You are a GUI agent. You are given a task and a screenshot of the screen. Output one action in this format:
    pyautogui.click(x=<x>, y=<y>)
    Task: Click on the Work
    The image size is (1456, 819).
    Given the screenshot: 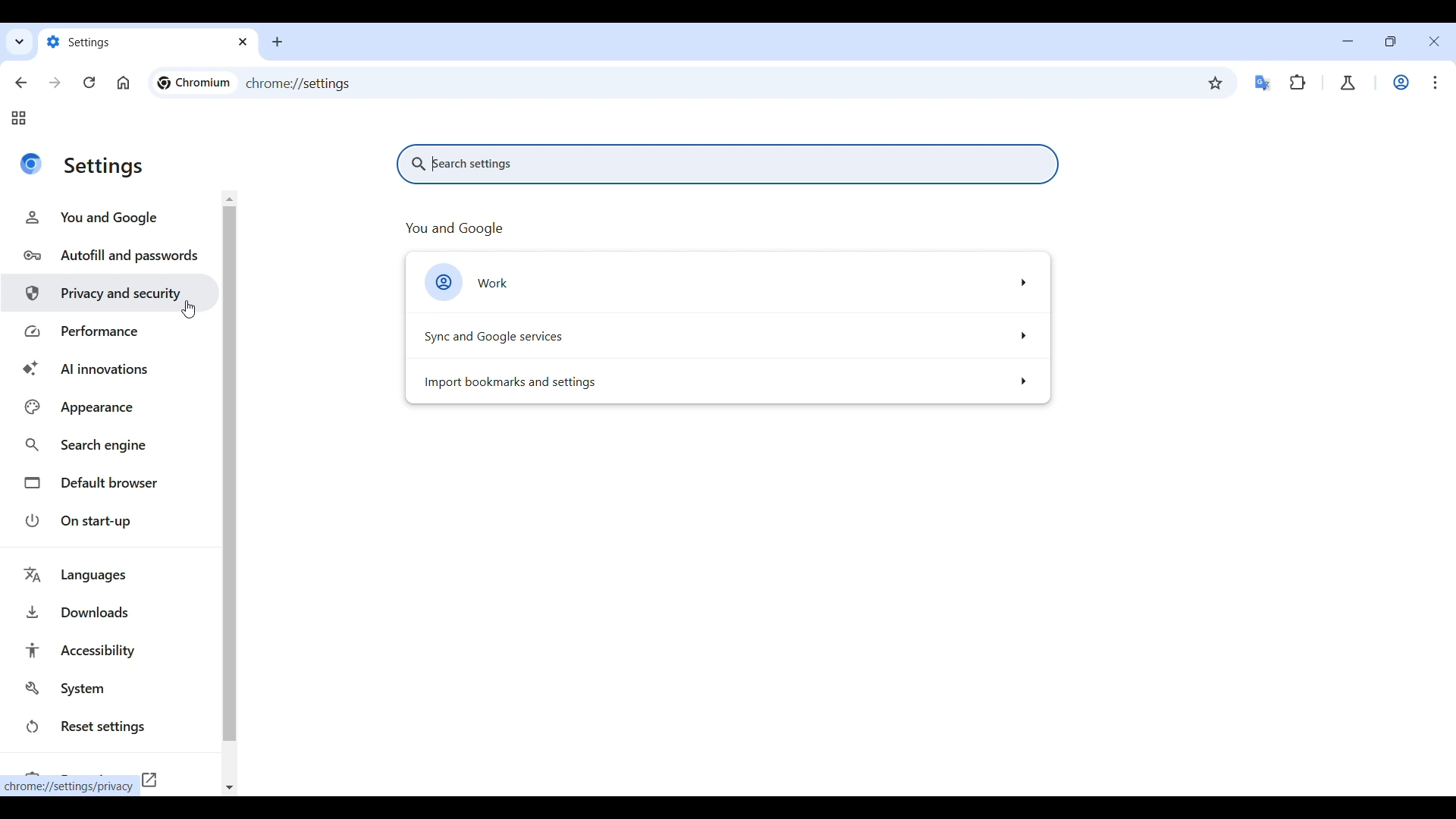 What is the action you would take?
    pyautogui.click(x=1401, y=83)
    